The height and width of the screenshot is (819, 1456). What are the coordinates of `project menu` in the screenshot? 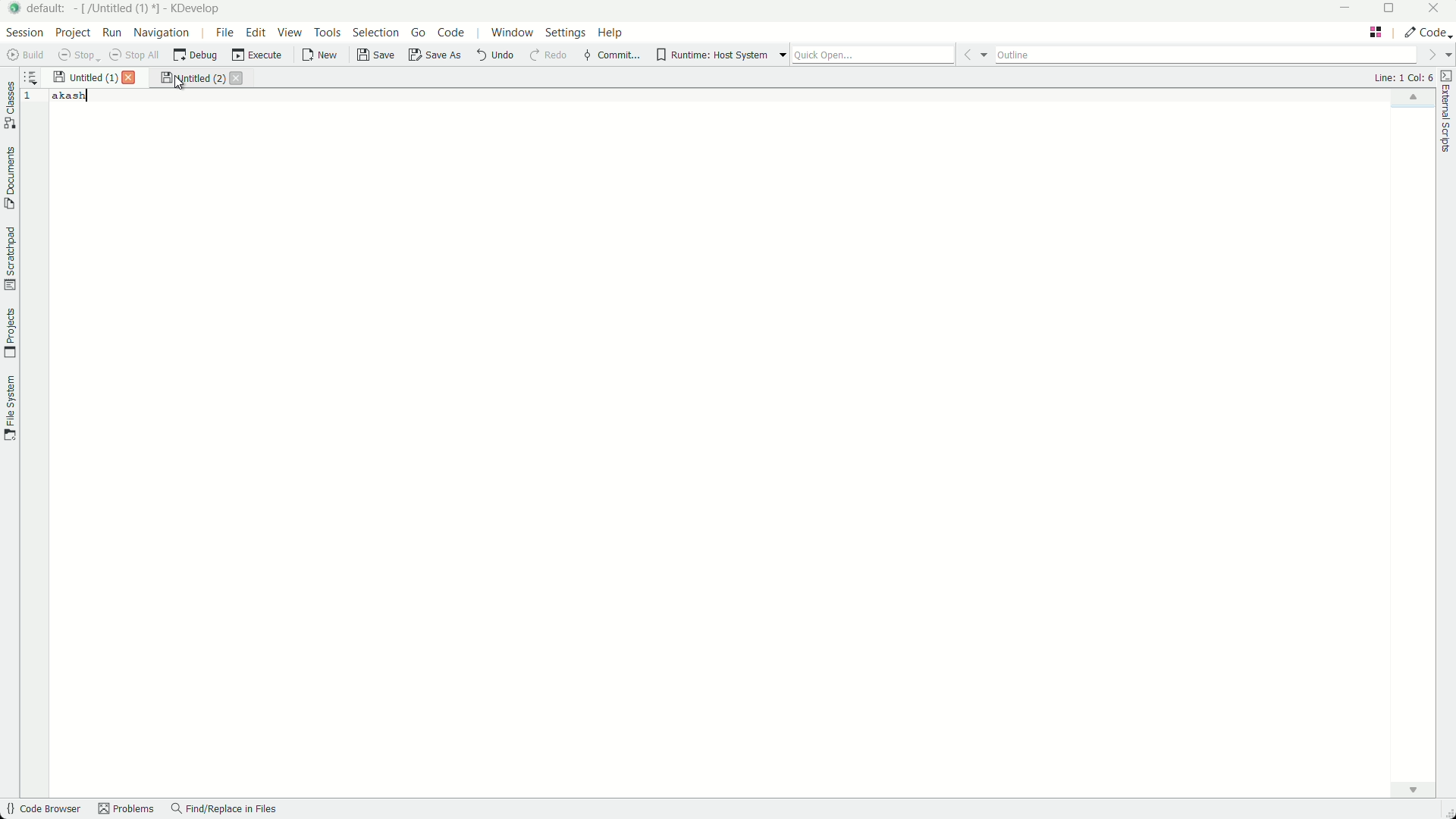 It's located at (71, 33).